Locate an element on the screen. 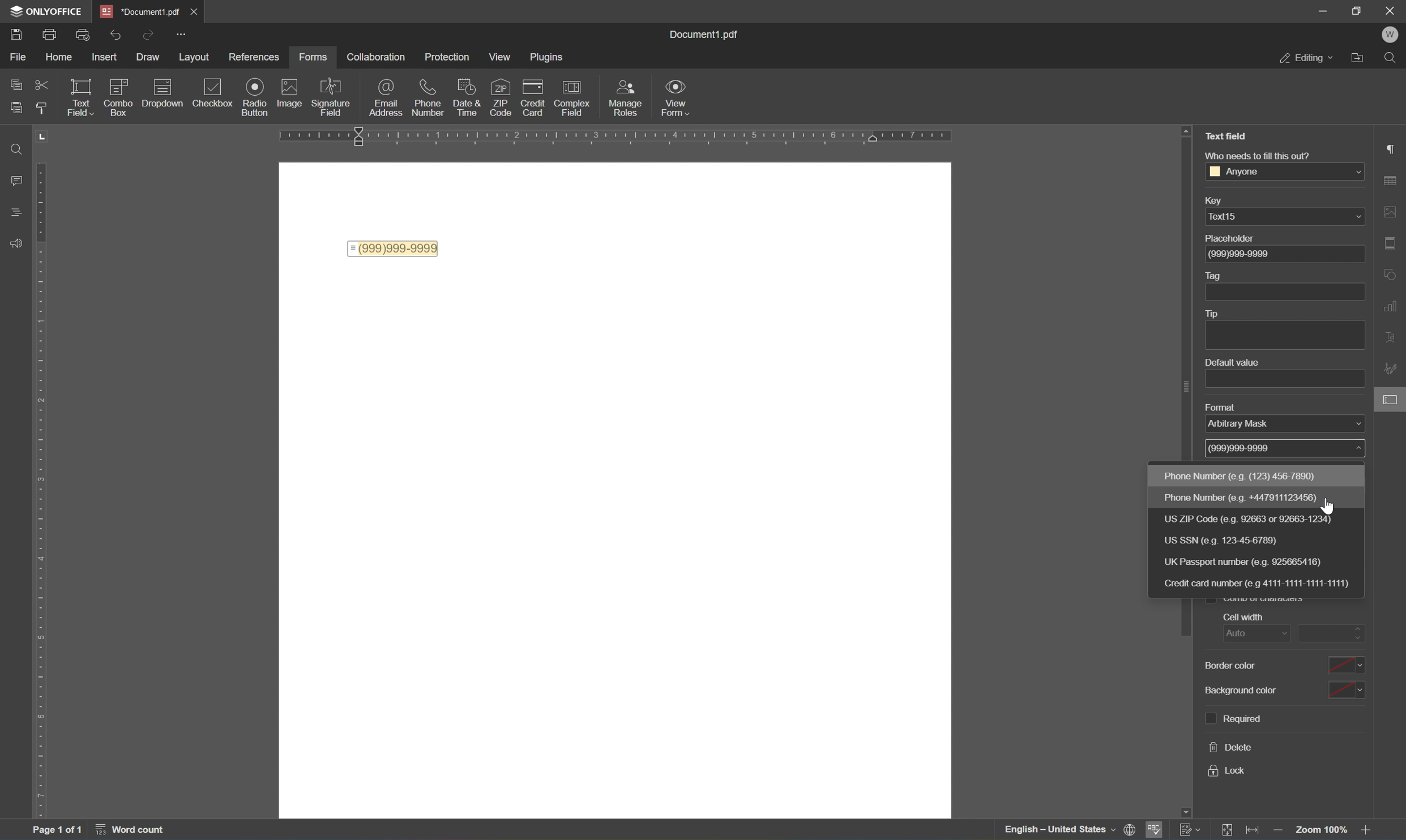  set document language is located at coordinates (1131, 829).